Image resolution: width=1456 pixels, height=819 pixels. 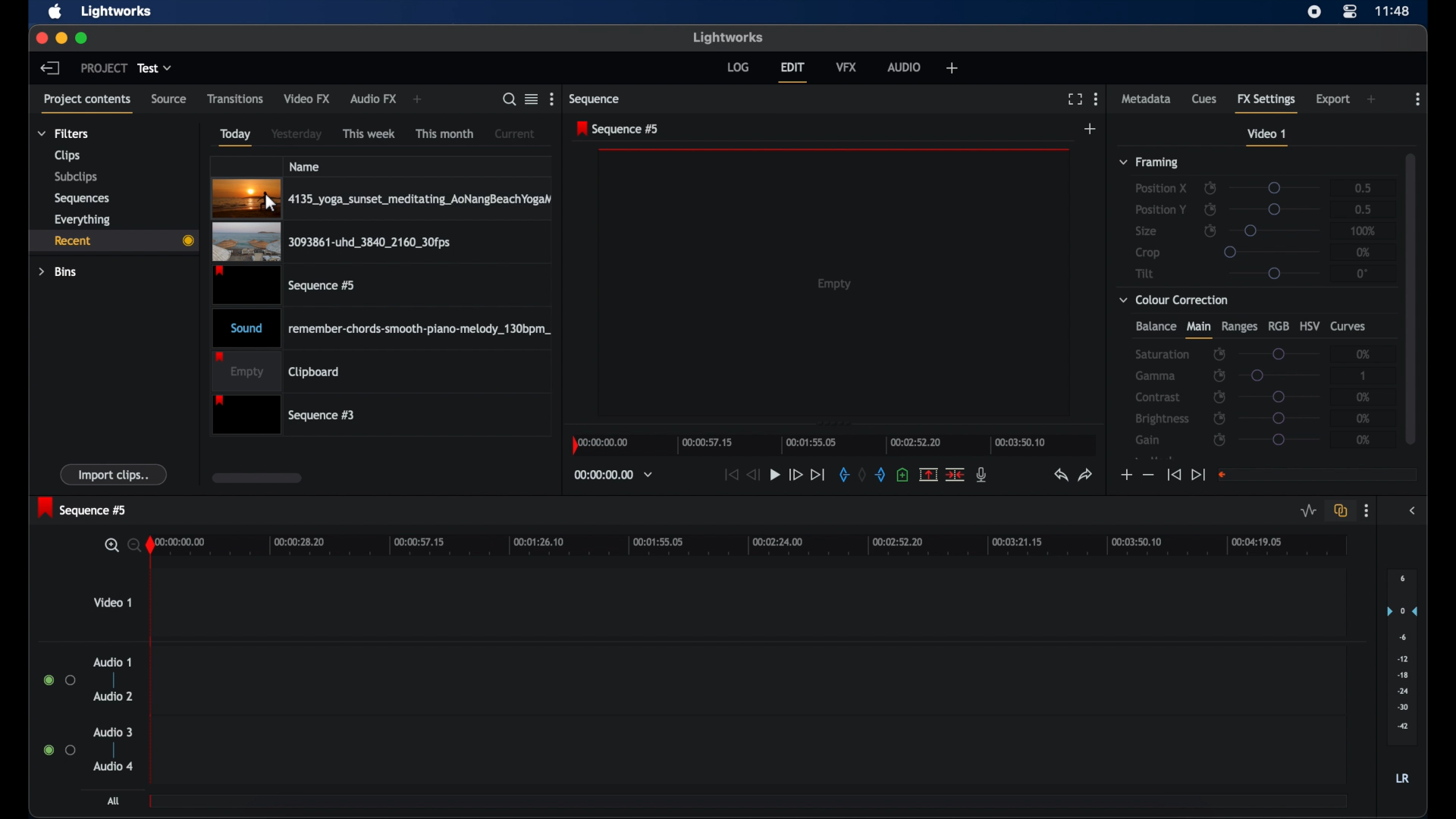 I want to click on decrement, so click(x=1148, y=475).